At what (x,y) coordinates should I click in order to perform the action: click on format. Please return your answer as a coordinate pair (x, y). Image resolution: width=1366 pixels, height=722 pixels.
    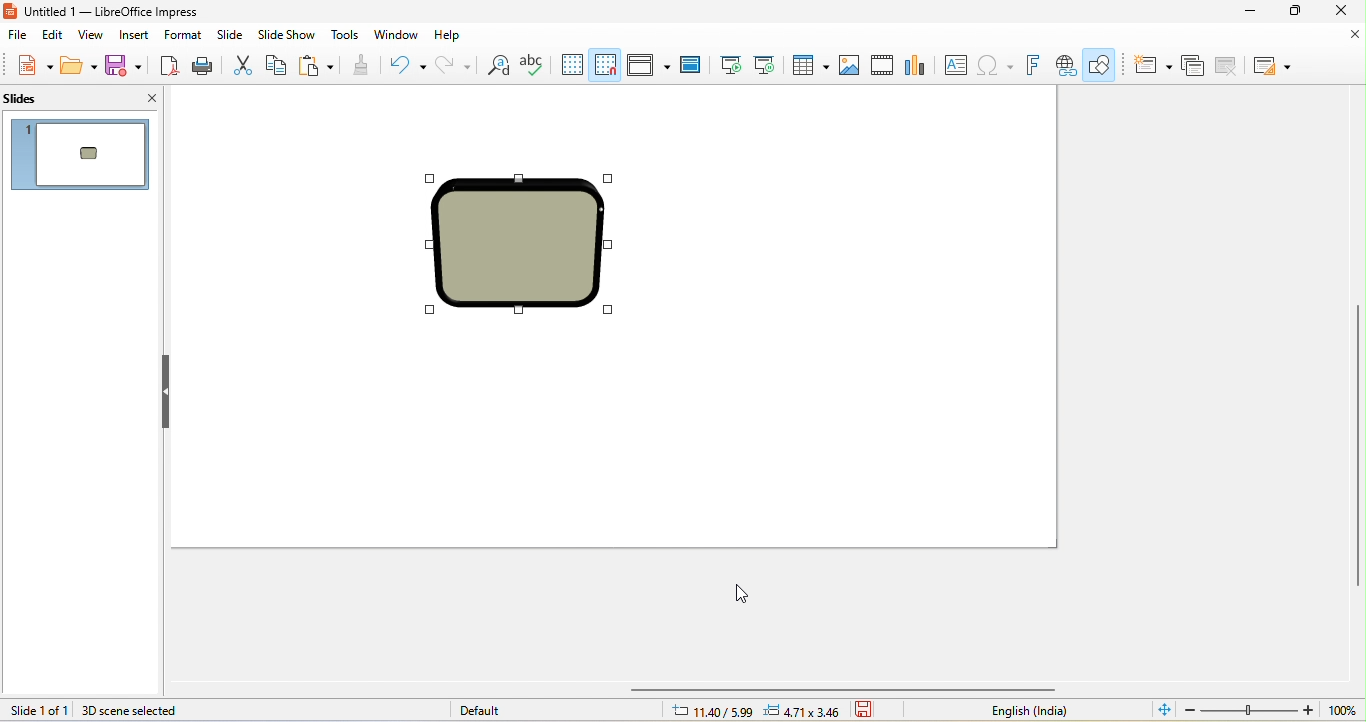
    Looking at the image, I should click on (184, 35).